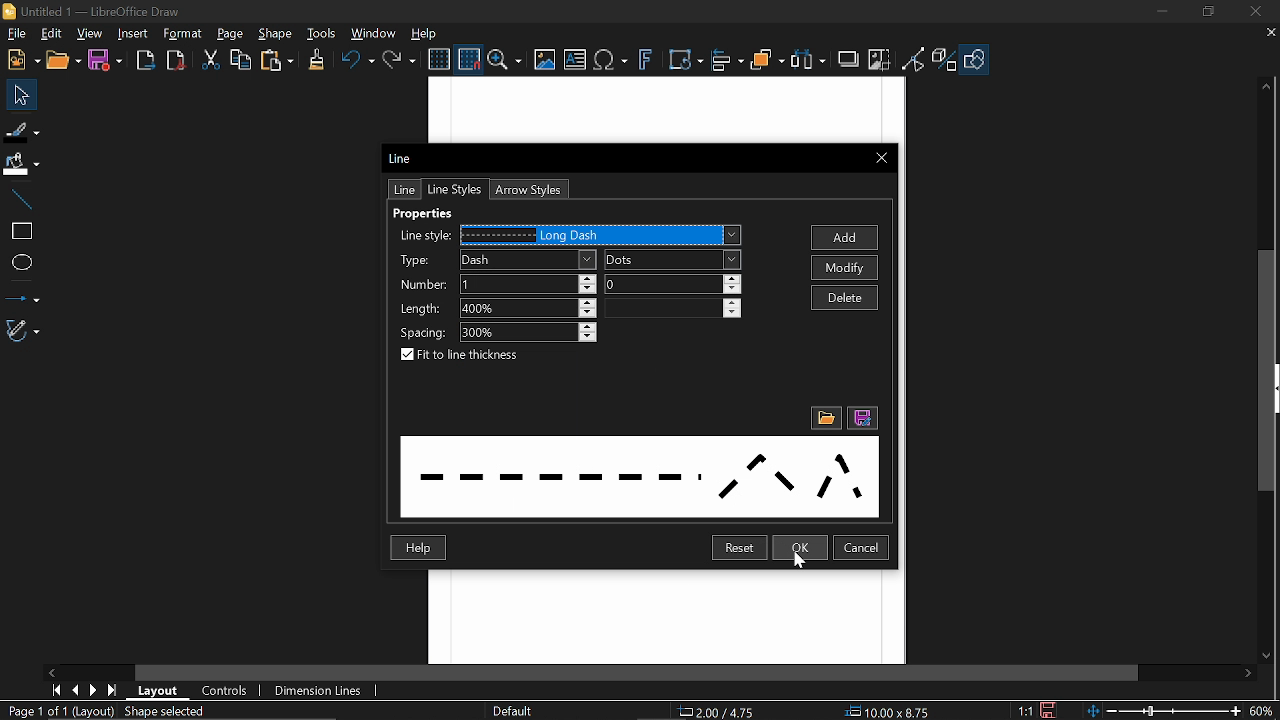 This screenshot has width=1280, height=720. I want to click on Horizontal scrollbar, so click(638, 673).